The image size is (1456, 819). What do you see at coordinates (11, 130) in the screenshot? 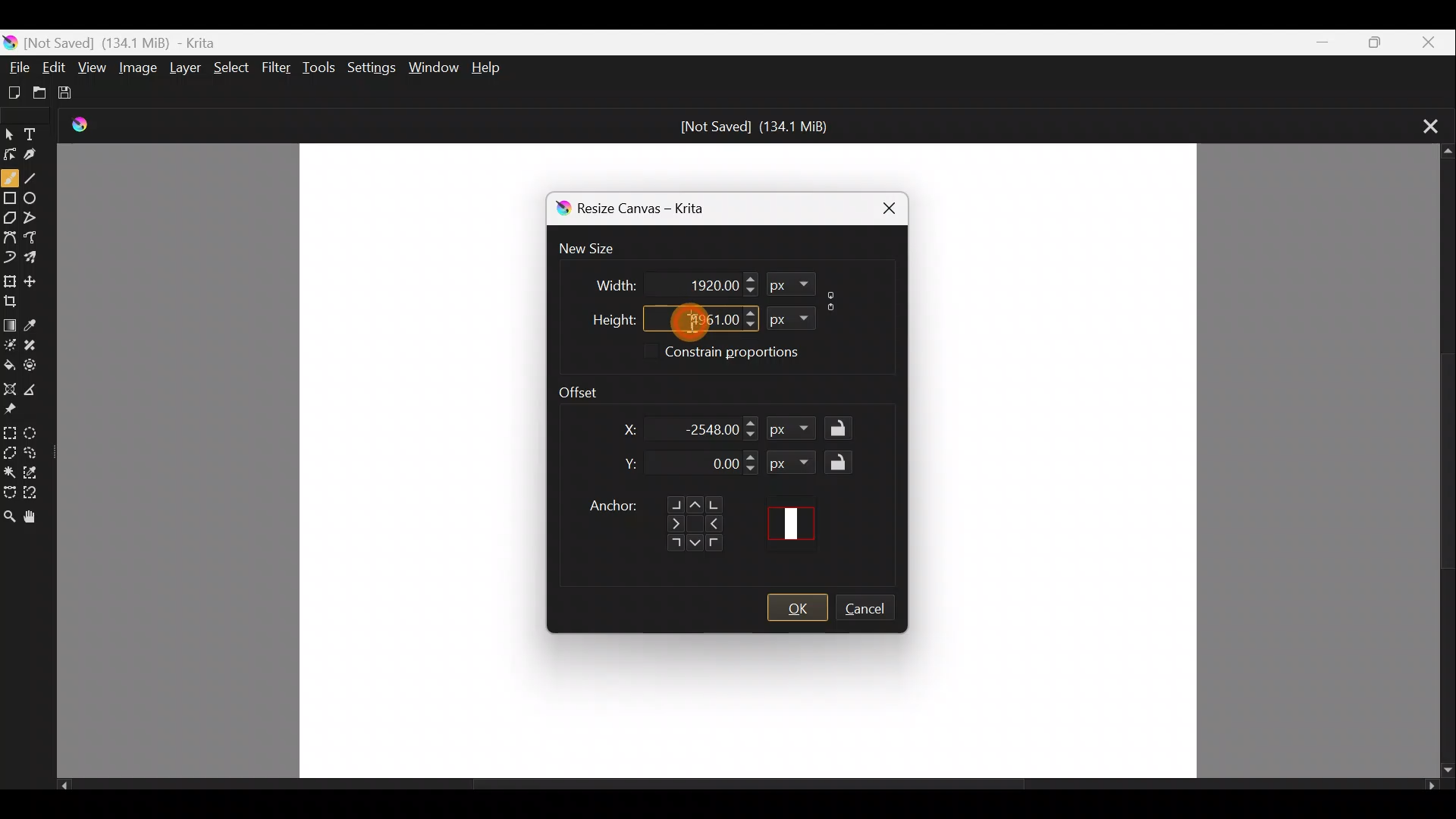
I see `Select shapes tool` at bounding box center [11, 130].